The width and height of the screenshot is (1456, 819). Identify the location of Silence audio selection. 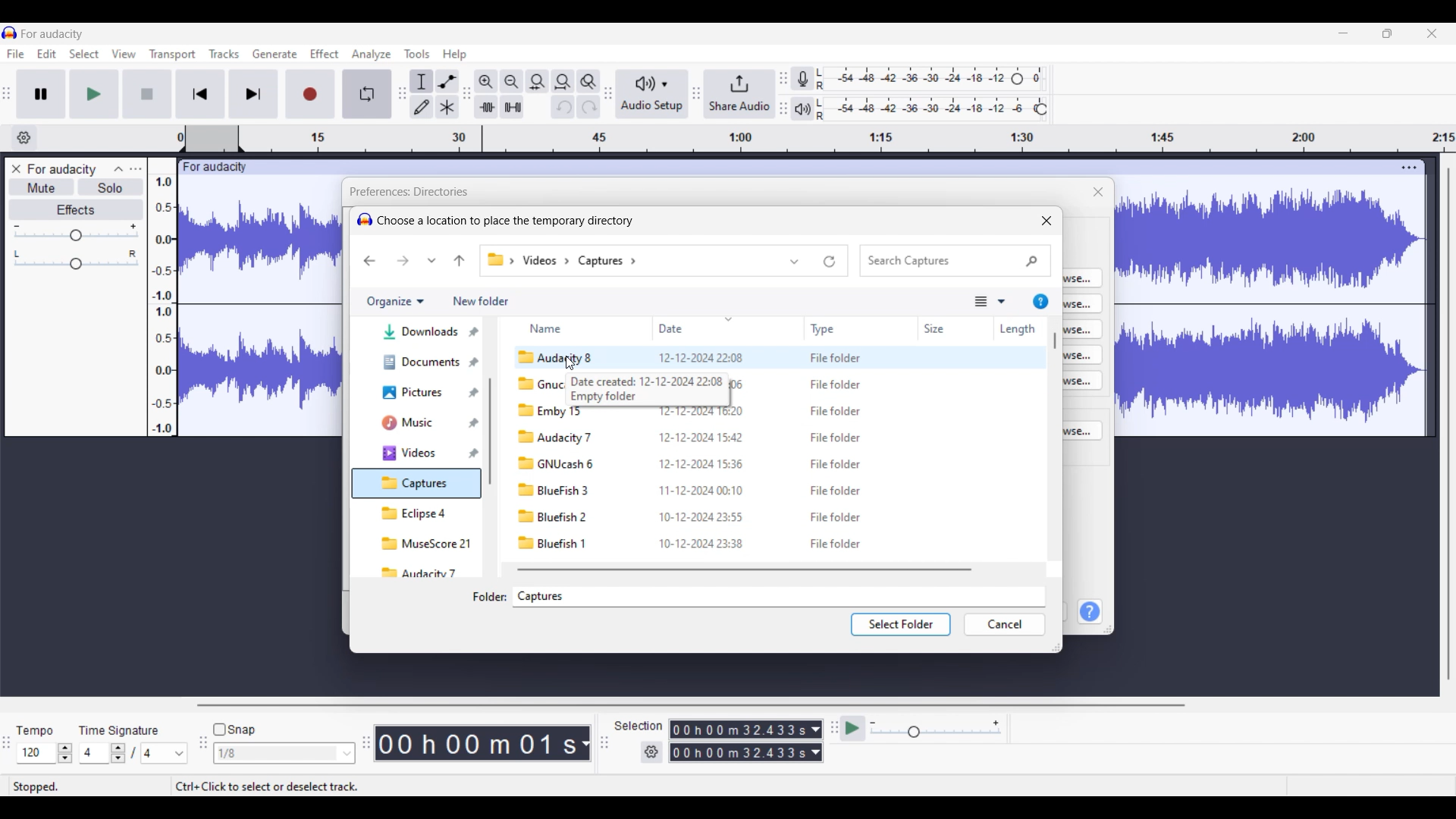
(512, 107).